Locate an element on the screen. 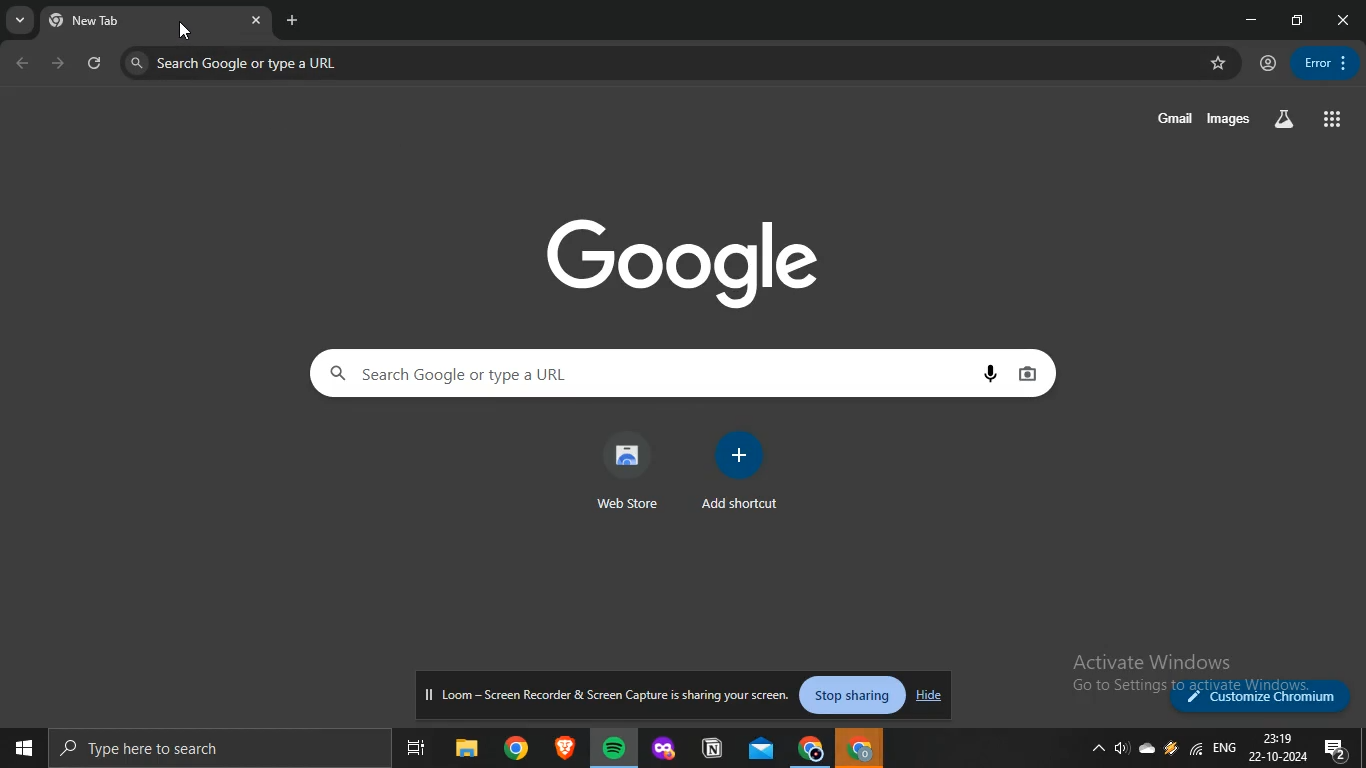 The height and width of the screenshot is (768, 1366). onedrive is located at coordinates (1147, 747).